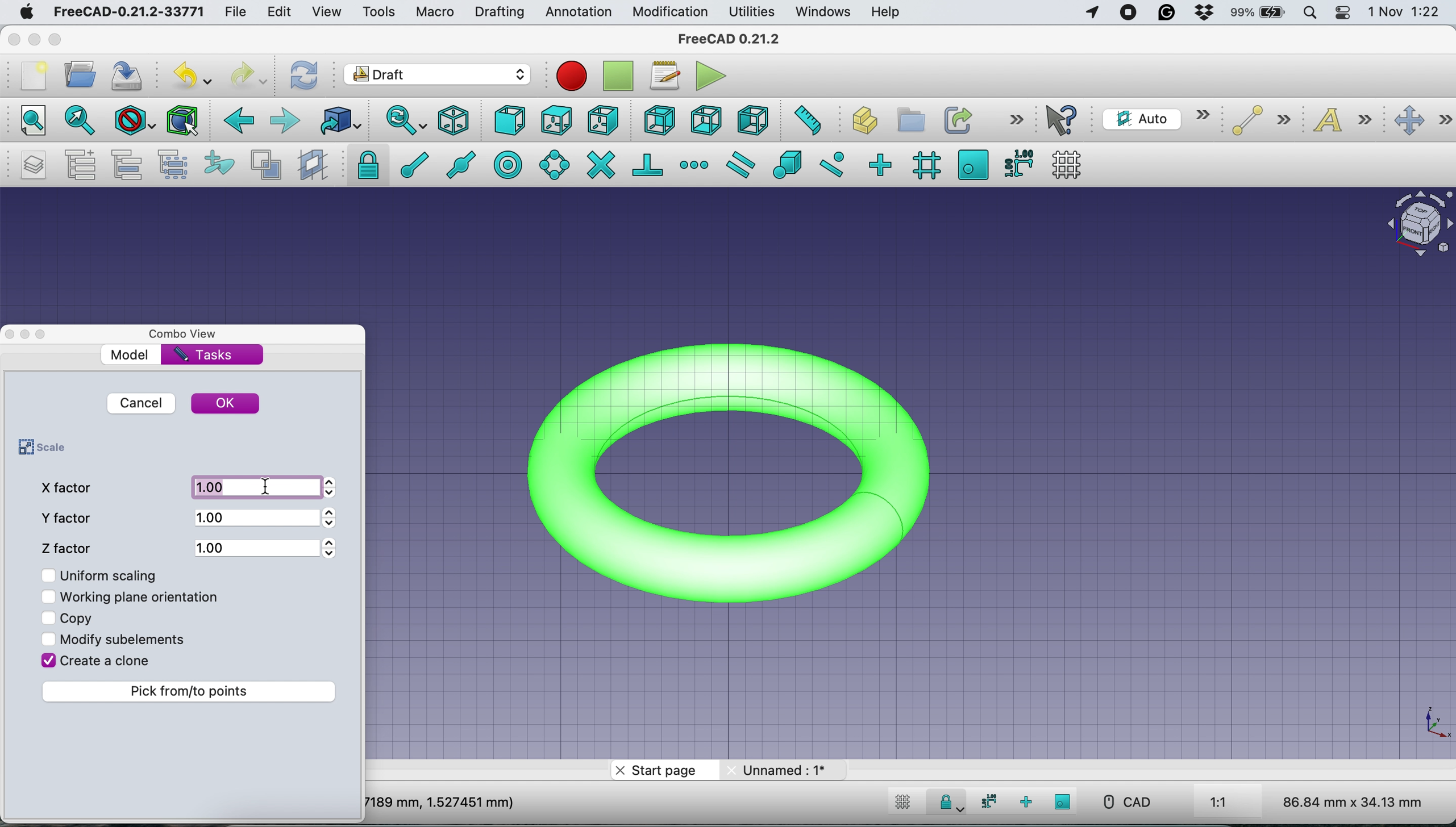 The image size is (1456, 827). Describe the element at coordinates (131, 637) in the screenshot. I see `modify sub elements` at that location.